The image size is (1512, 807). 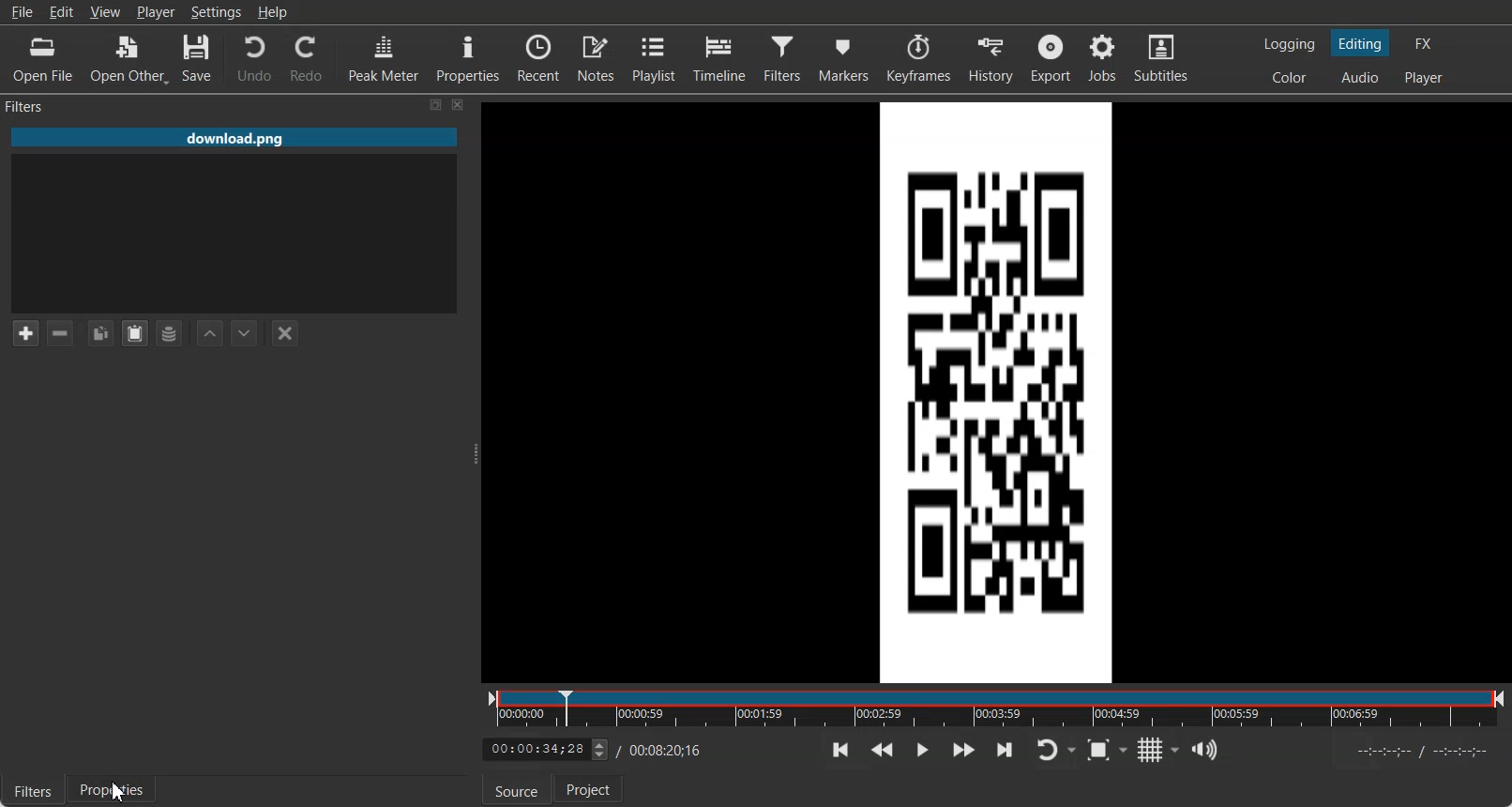 I want to click on Toggle grid display on the player, so click(x=1160, y=750).